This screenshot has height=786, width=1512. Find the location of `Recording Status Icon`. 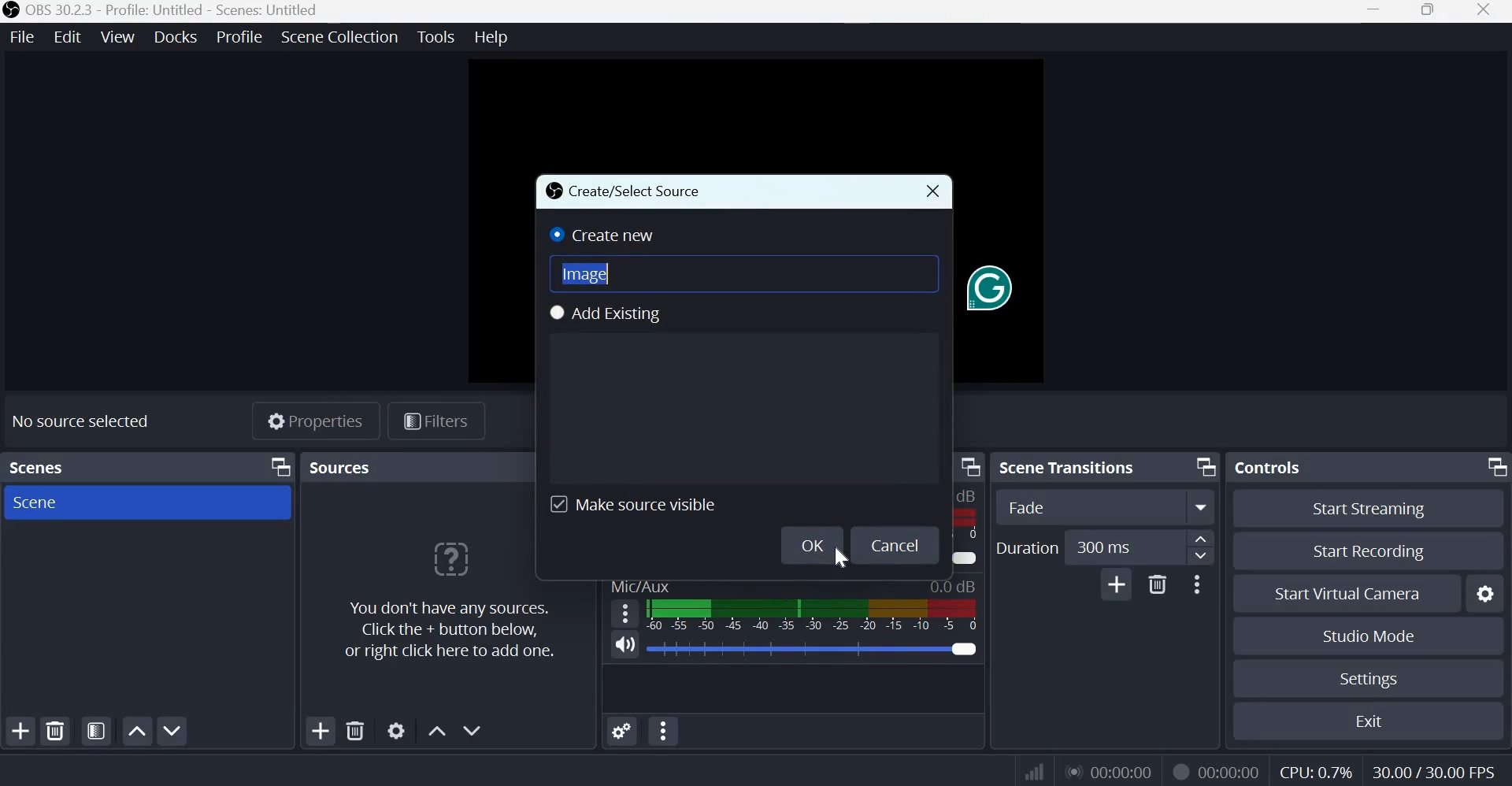

Recording Status Icon is located at coordinates (1180, 771).